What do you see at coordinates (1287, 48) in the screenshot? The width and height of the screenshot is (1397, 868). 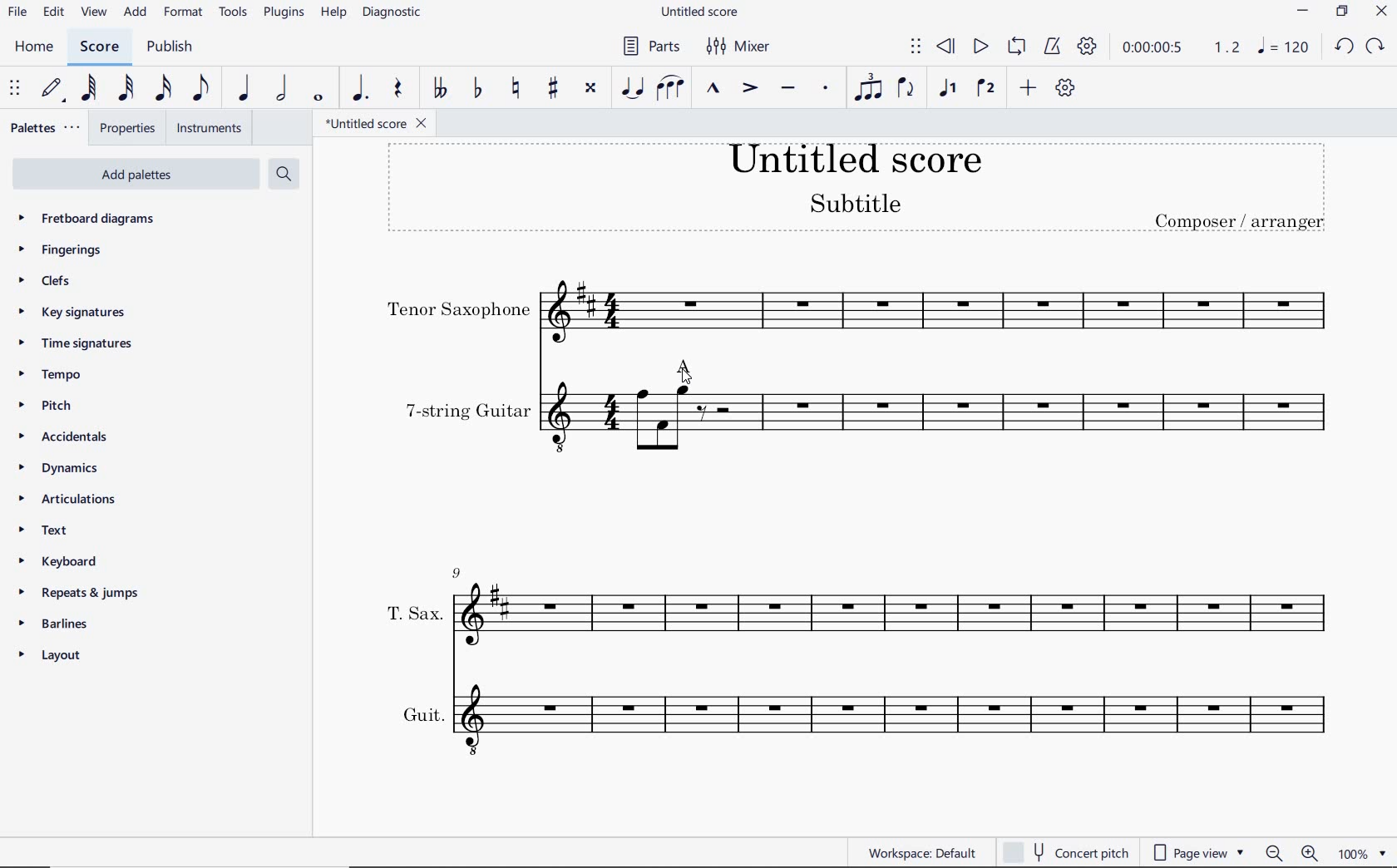 I see `NOTE` at bounding box center [1287, 48].